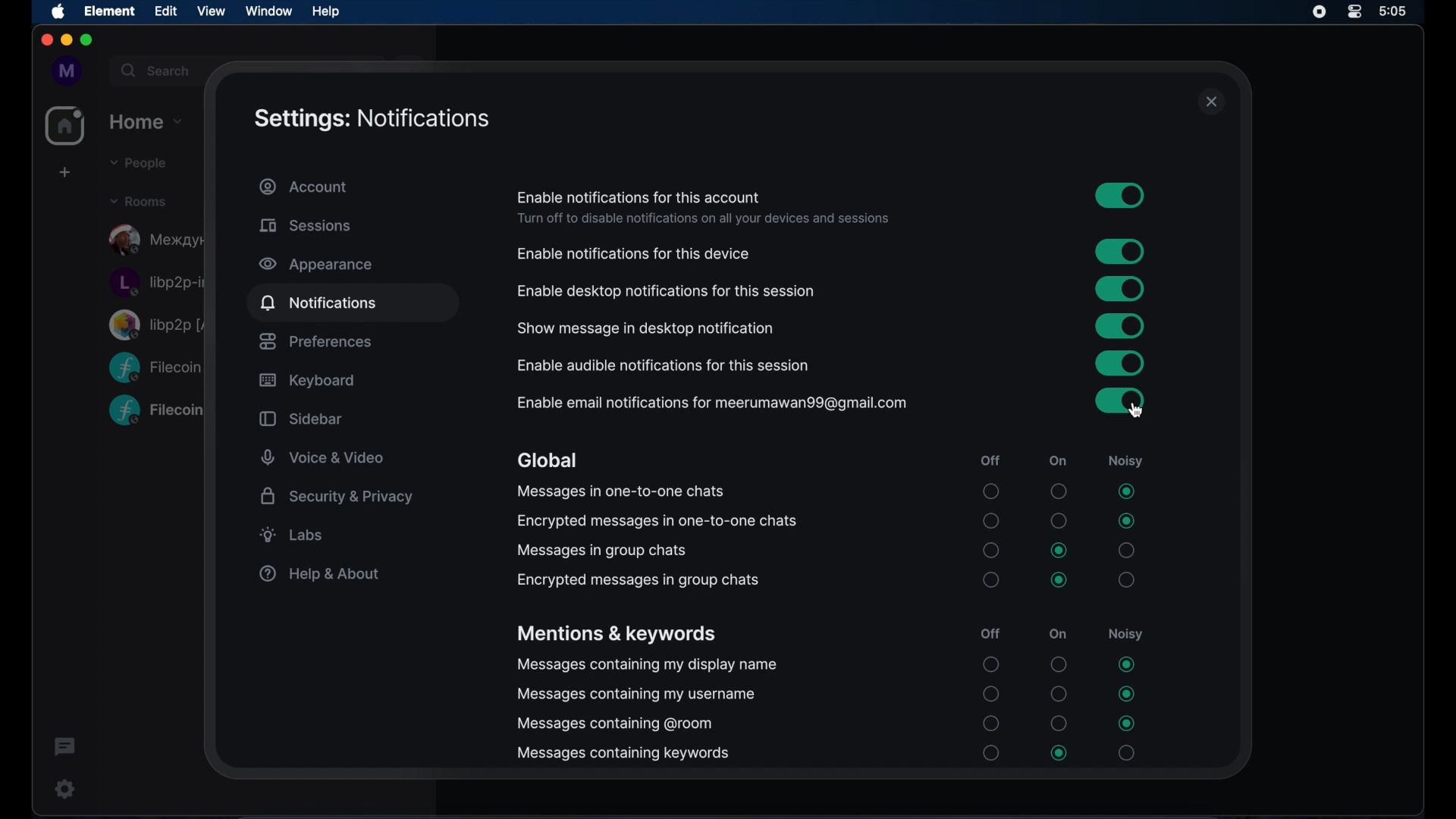 This screenshot has width=1456, height=819. What do you see at coordinates (1125, 723) in the screenshot?
I see `radio button` at bounding box center [1125, 723].